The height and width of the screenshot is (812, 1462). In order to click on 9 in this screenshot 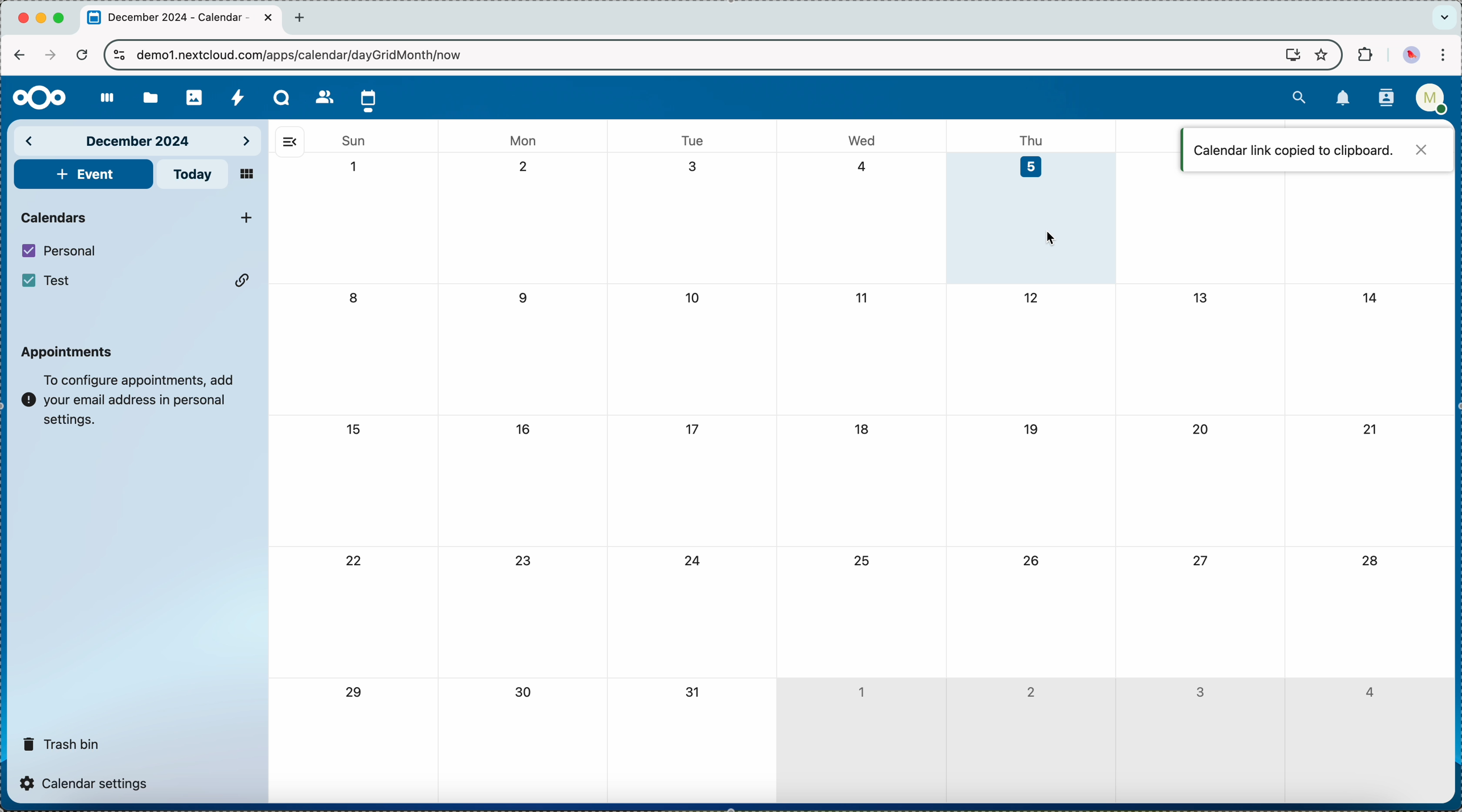, I will do `click(526, 297)`.